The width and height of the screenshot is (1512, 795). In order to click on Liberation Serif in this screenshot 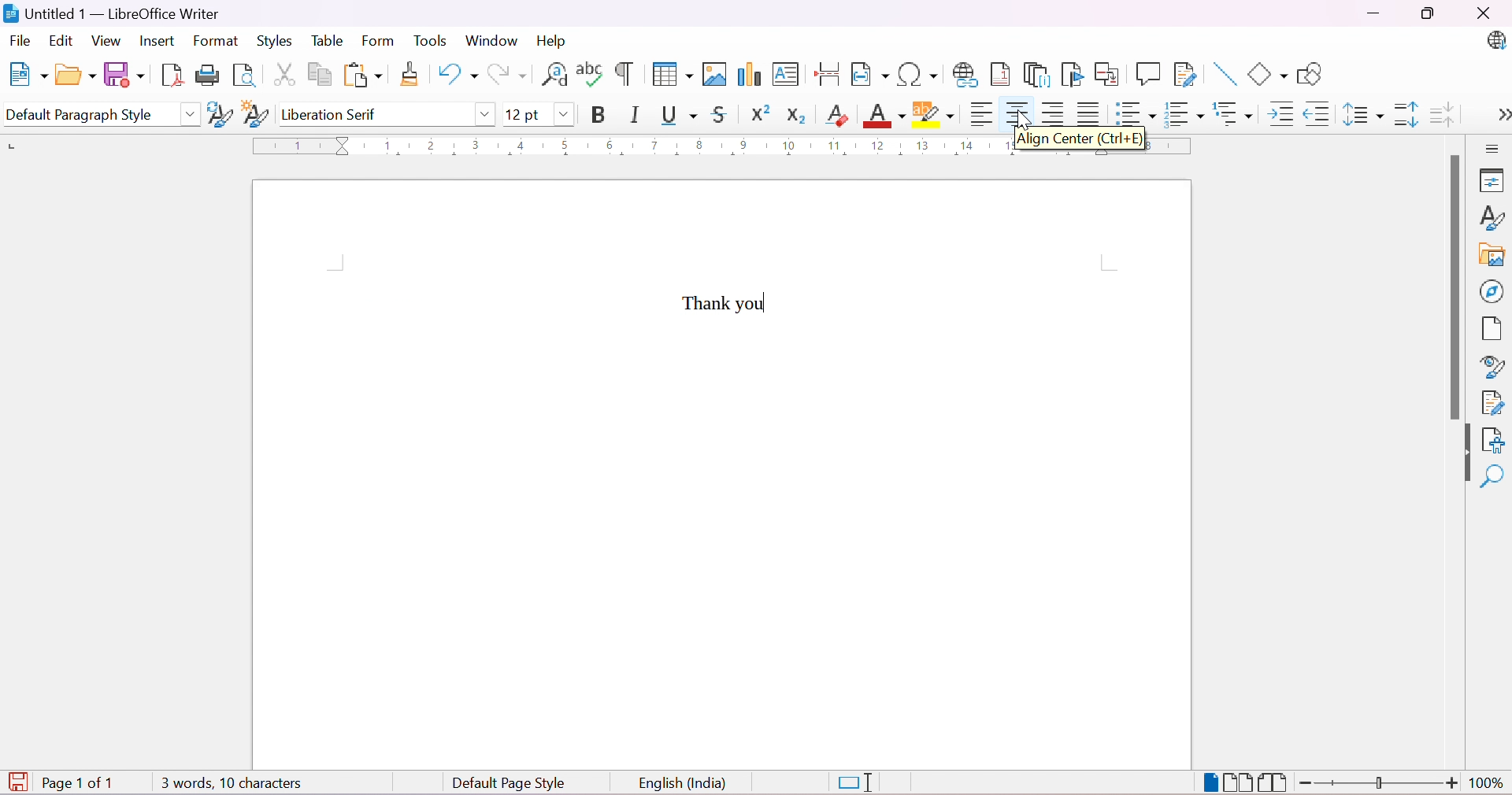, I will do `click(332, 116)`.